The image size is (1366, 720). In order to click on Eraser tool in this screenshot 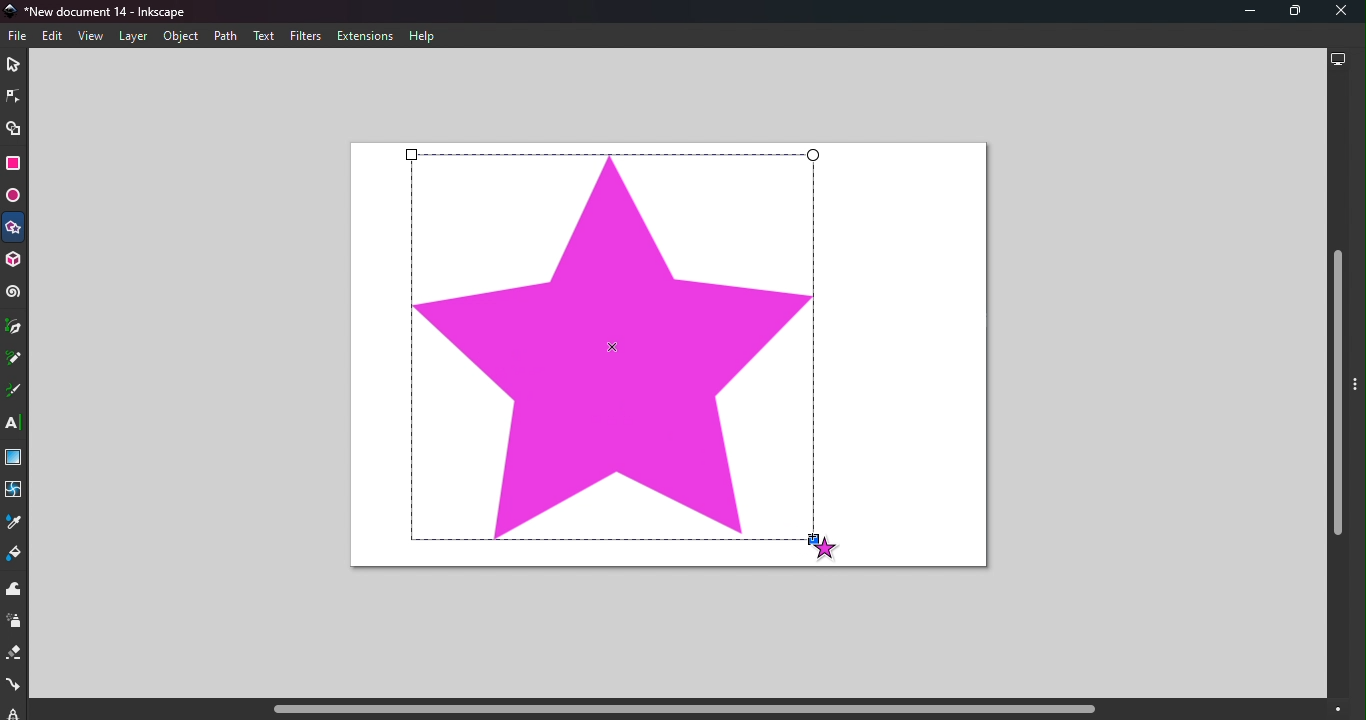, I will do `click(13, 657)`.